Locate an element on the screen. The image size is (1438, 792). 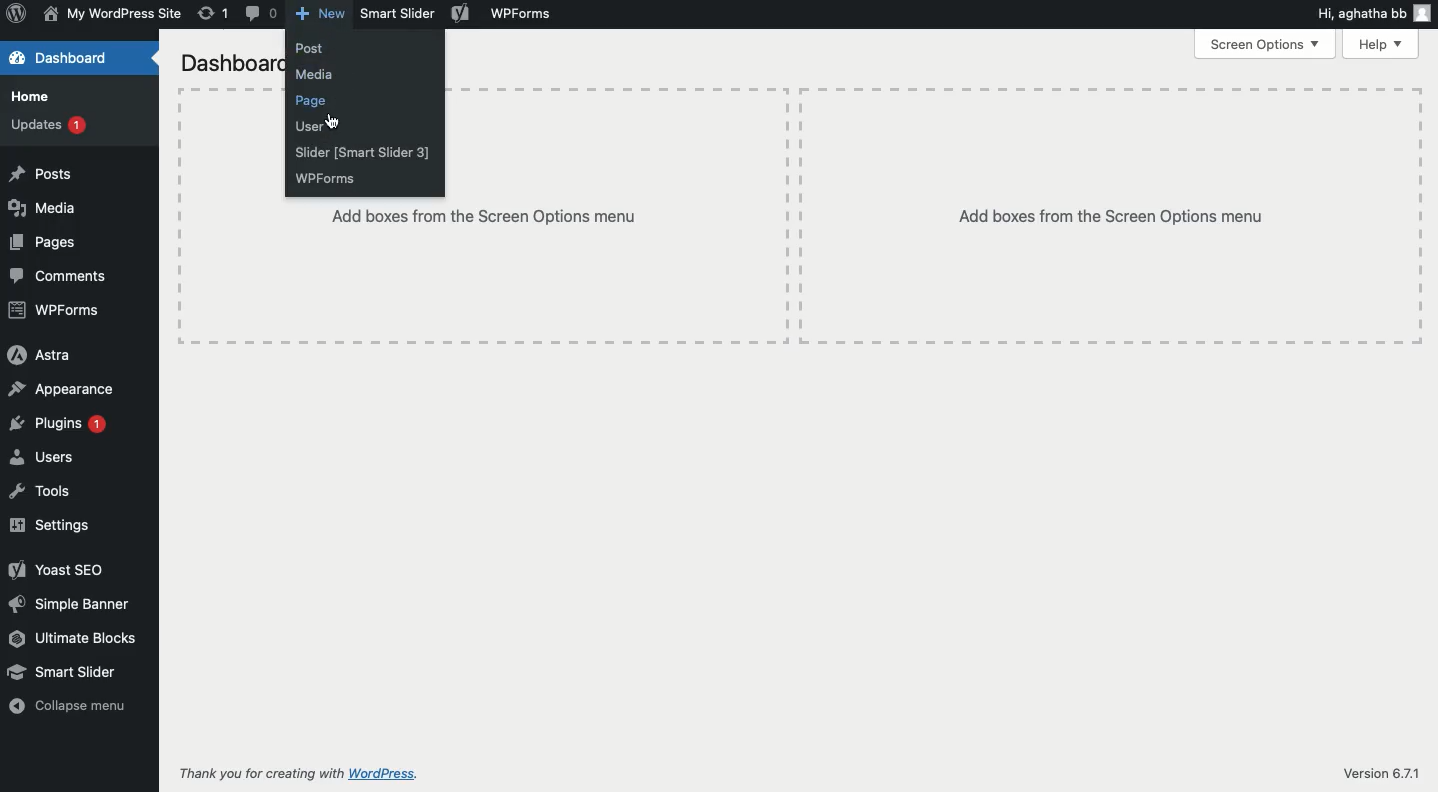
Settings is located at coordinates (53, 525).